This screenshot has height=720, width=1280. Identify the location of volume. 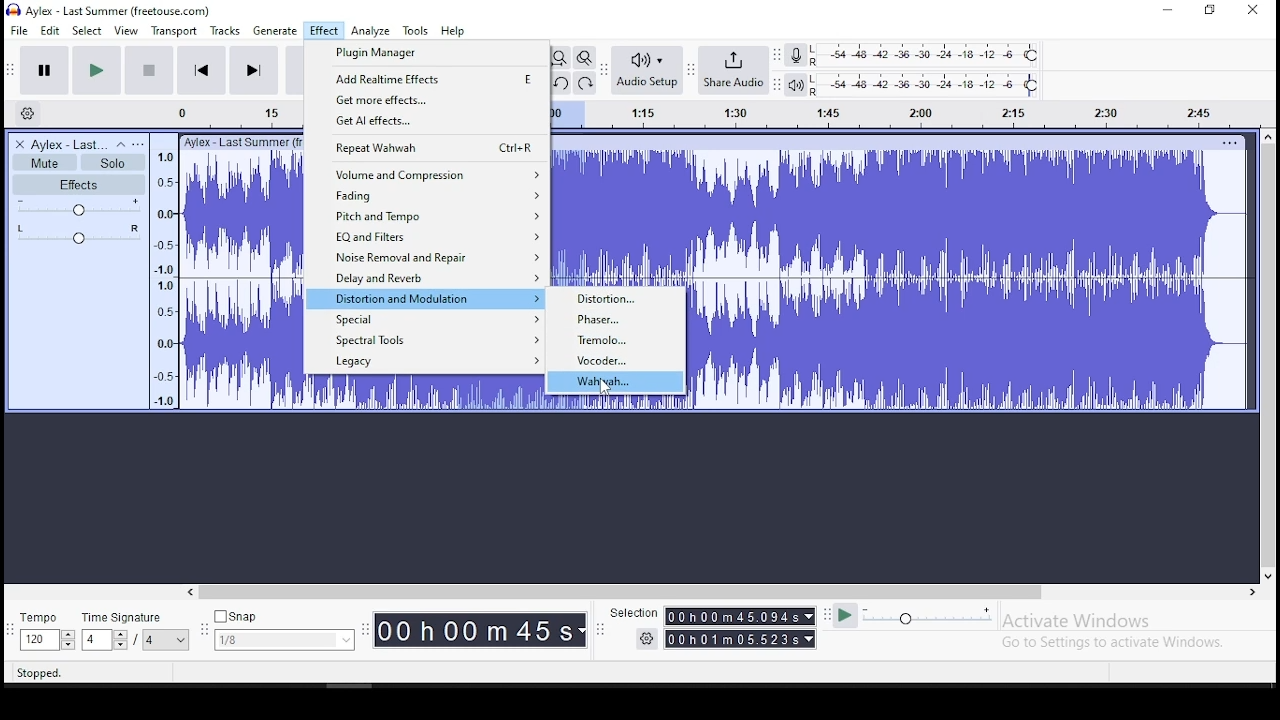
(78, 206).